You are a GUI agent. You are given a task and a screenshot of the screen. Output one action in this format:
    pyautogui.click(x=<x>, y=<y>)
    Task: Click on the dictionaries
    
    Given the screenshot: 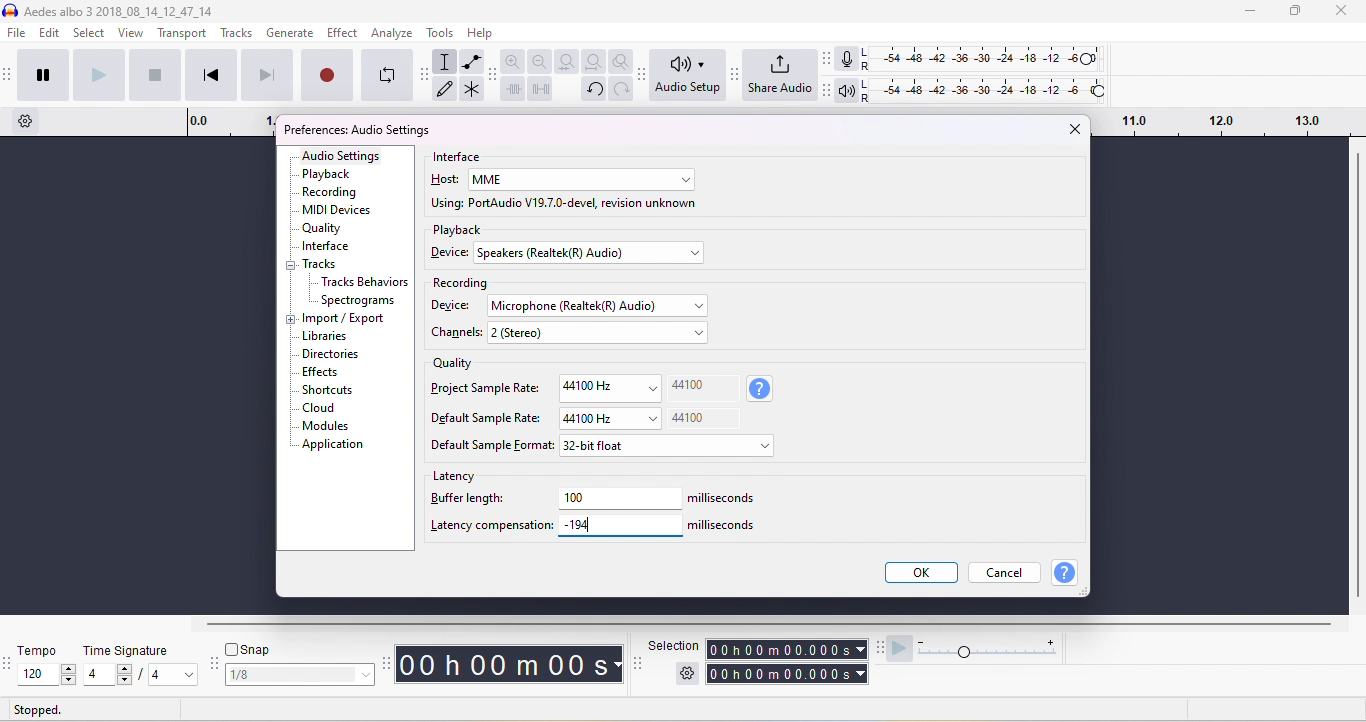 What is the action you would take?
    pyautogui.click(x=331, y=355)
    